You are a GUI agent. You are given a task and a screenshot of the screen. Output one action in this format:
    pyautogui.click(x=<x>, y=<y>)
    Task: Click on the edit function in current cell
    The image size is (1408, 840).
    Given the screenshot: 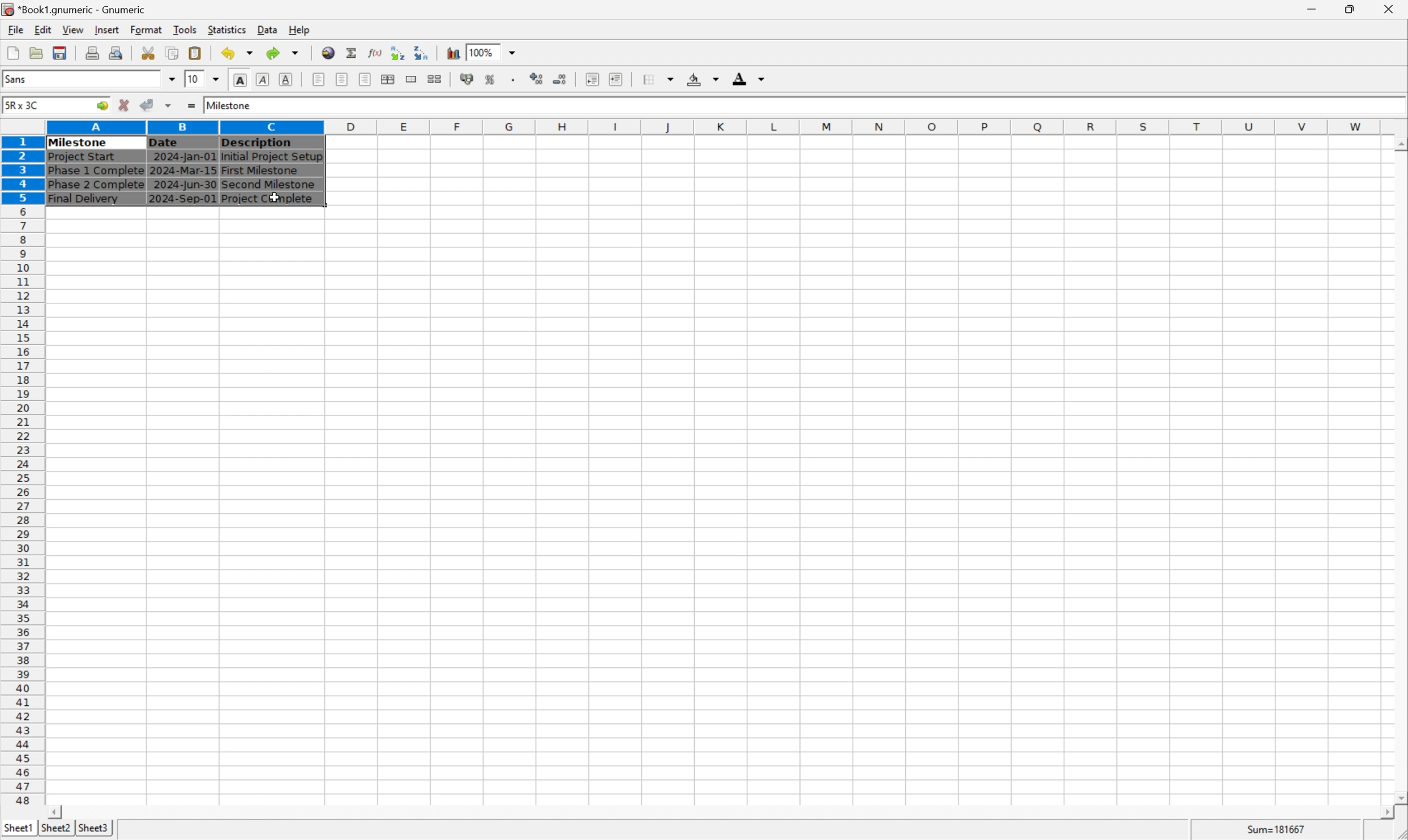 What is the action you would take?
    pyautogui.click(x=374, y=52)
    